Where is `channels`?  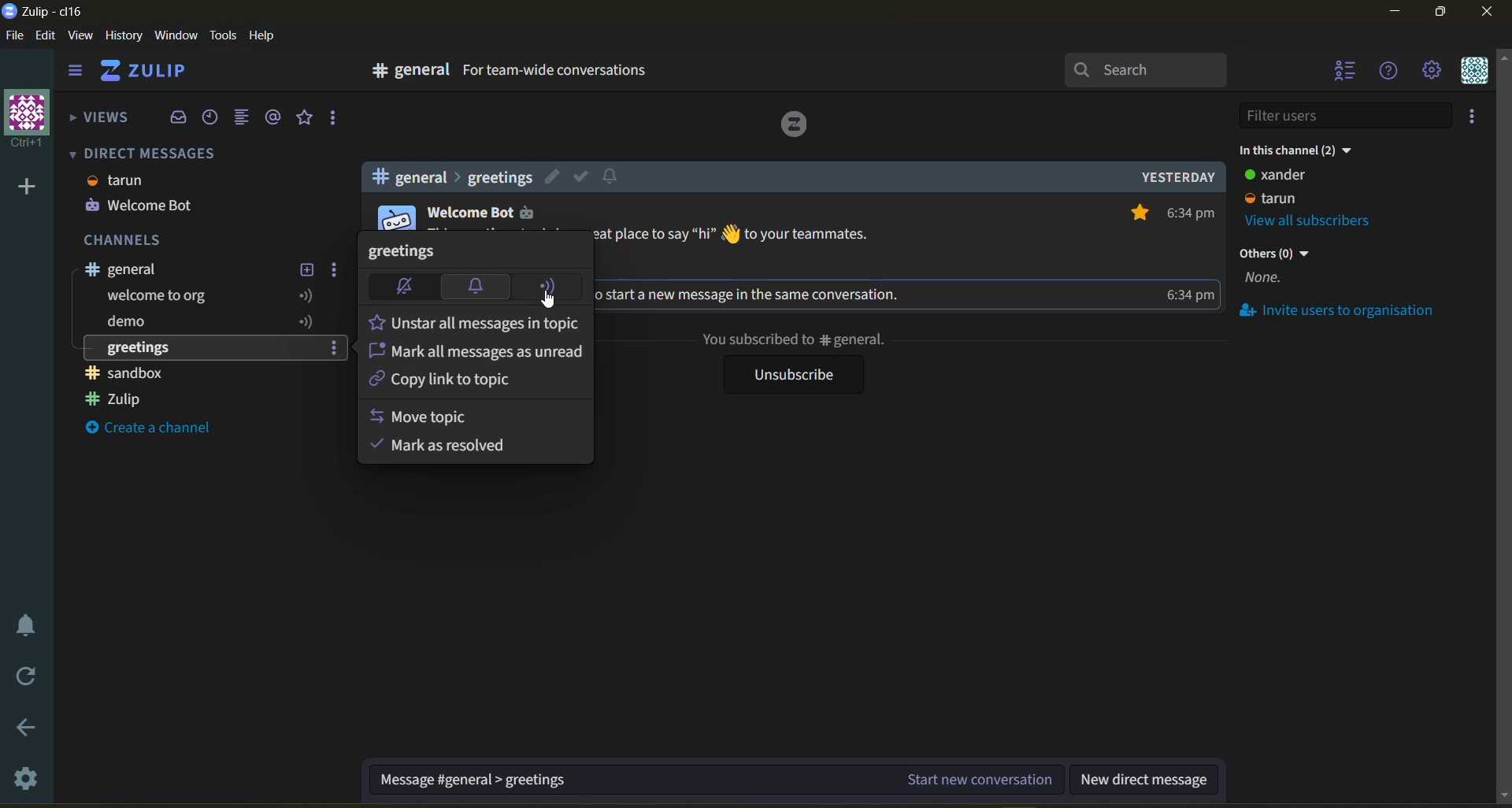 channels is located at coordinates (135, 239).